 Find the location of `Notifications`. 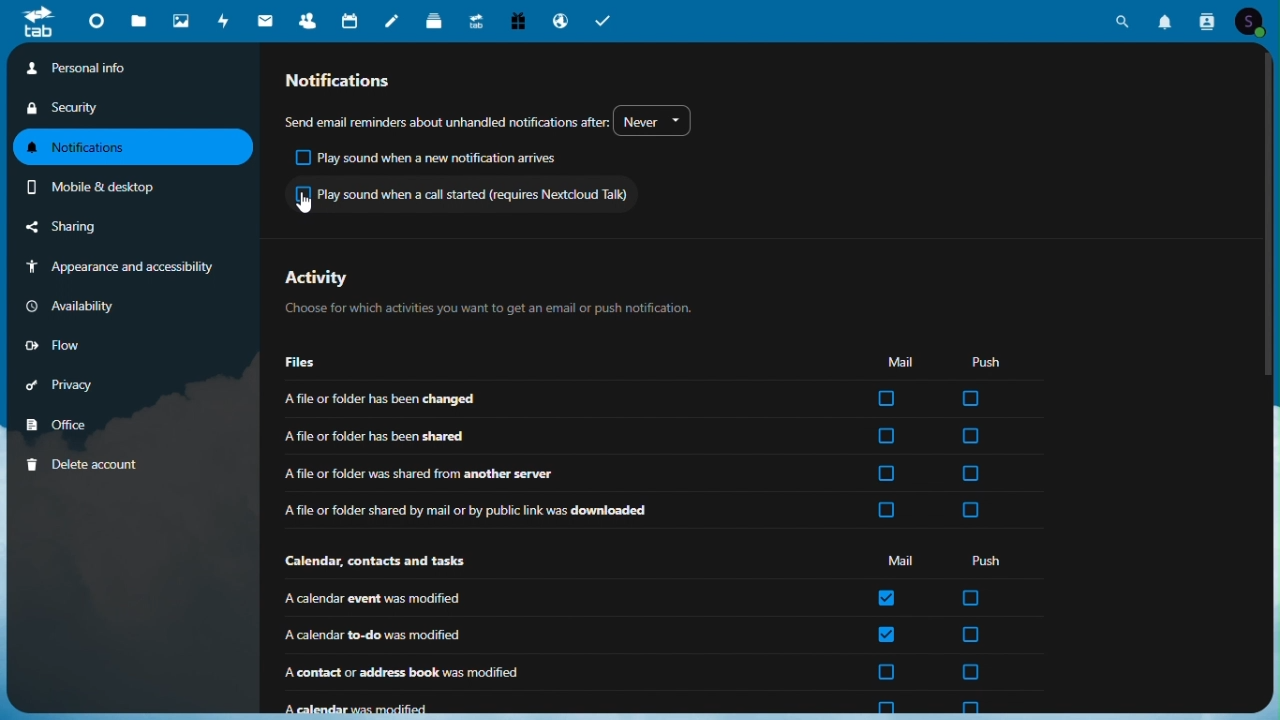

Notifications is located at coordinates (1167, 17).